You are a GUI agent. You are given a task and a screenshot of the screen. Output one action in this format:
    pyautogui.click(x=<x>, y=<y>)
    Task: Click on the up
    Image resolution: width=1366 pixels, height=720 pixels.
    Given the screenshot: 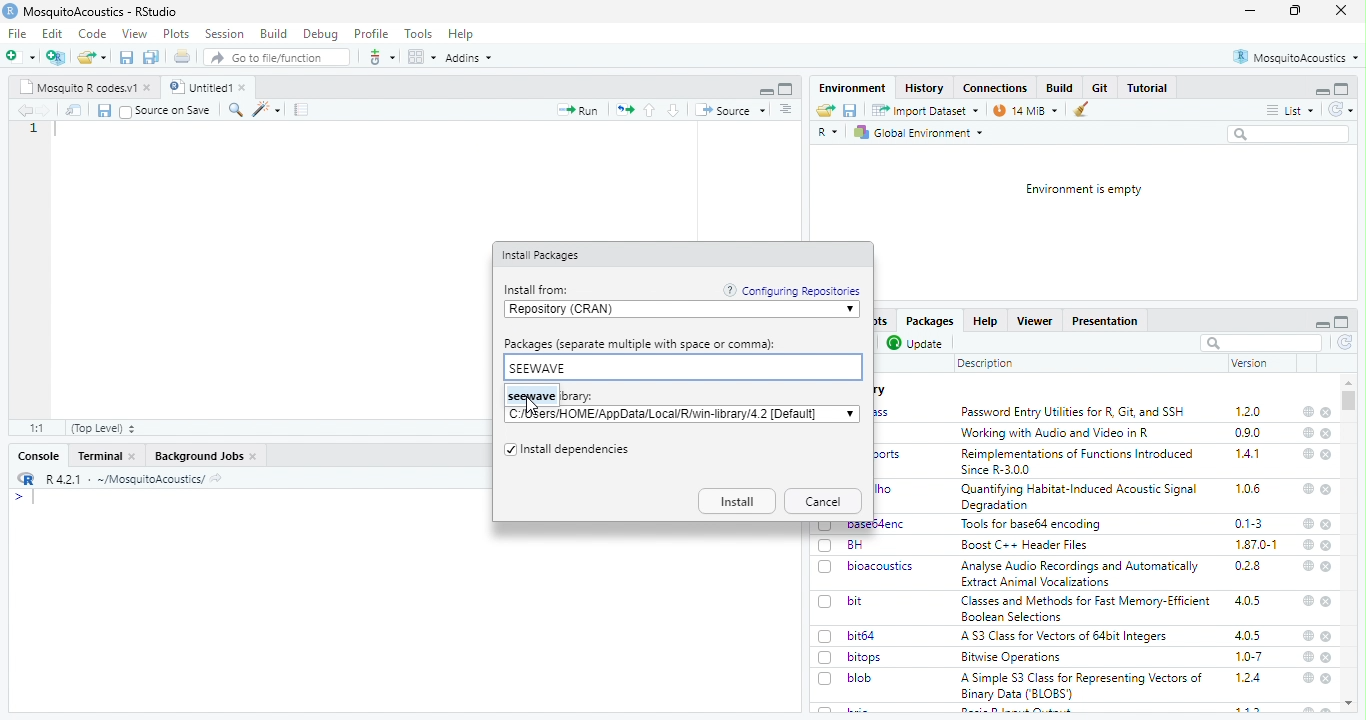 What is the action you would take?
    pyautogui.click(x=651, y=110)
    